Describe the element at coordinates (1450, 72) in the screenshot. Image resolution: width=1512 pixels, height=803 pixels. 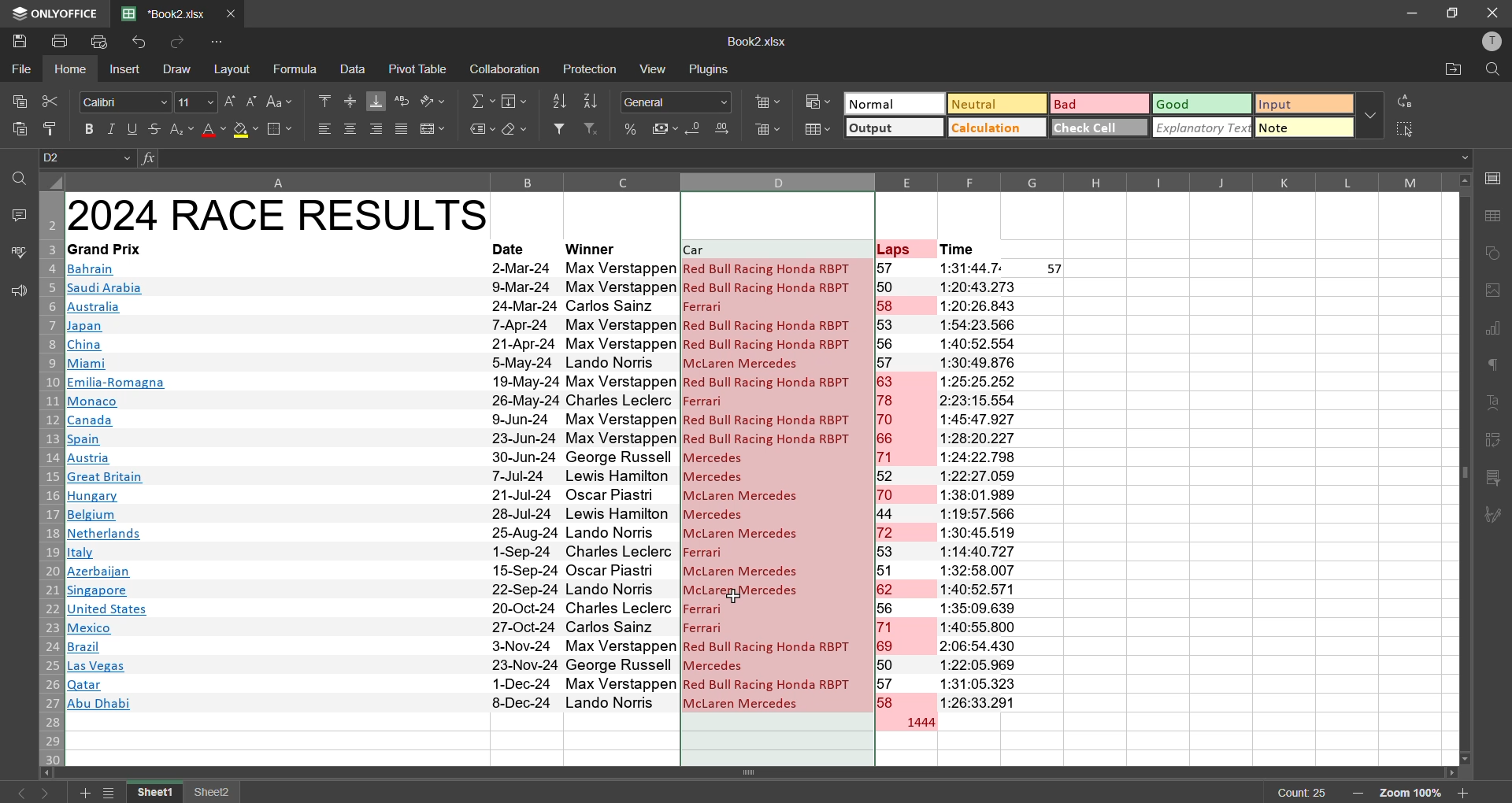
I see `open location` at that location.